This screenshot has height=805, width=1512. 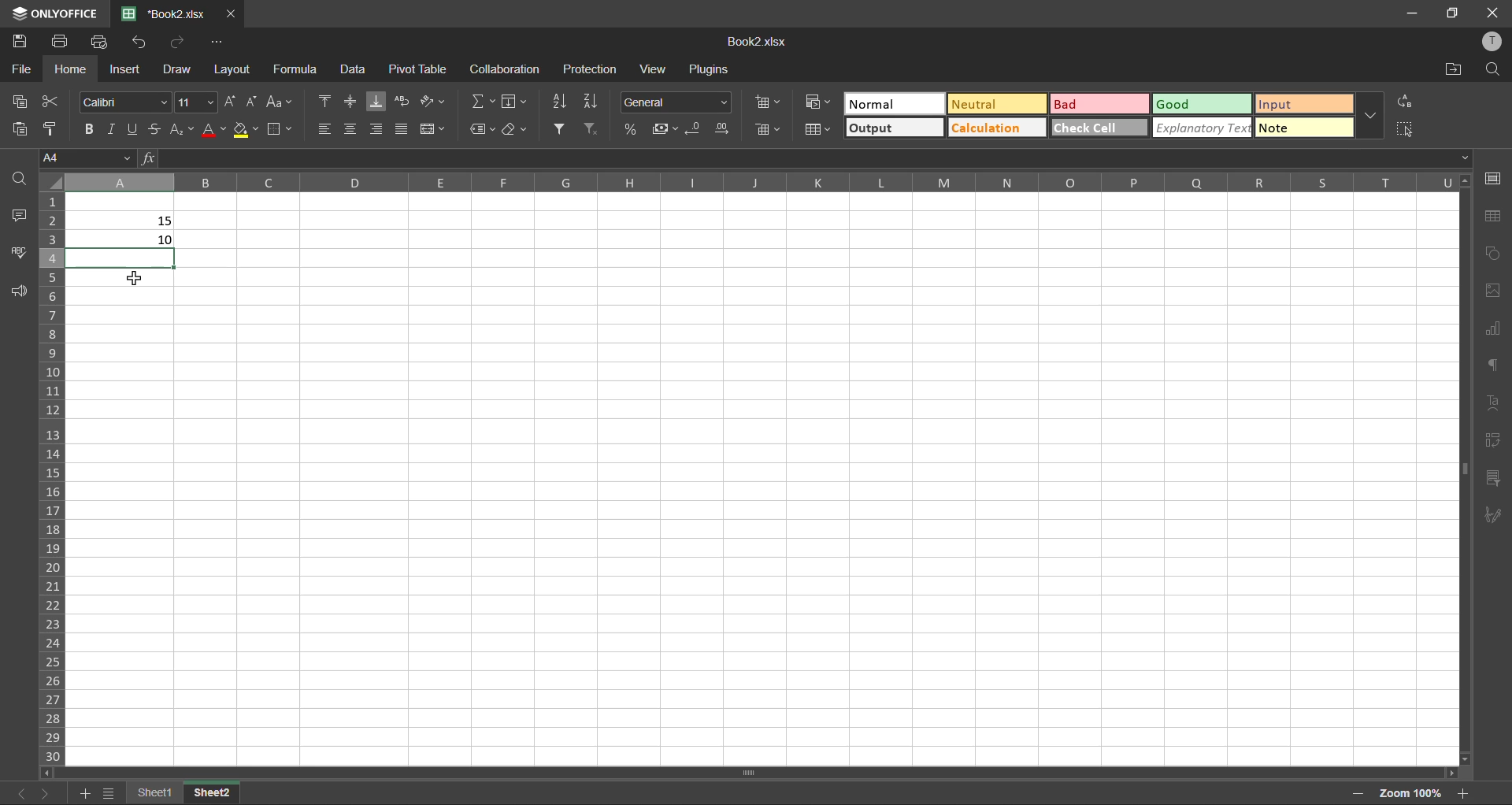 I want to click on note, so click(x=1303, y=127).